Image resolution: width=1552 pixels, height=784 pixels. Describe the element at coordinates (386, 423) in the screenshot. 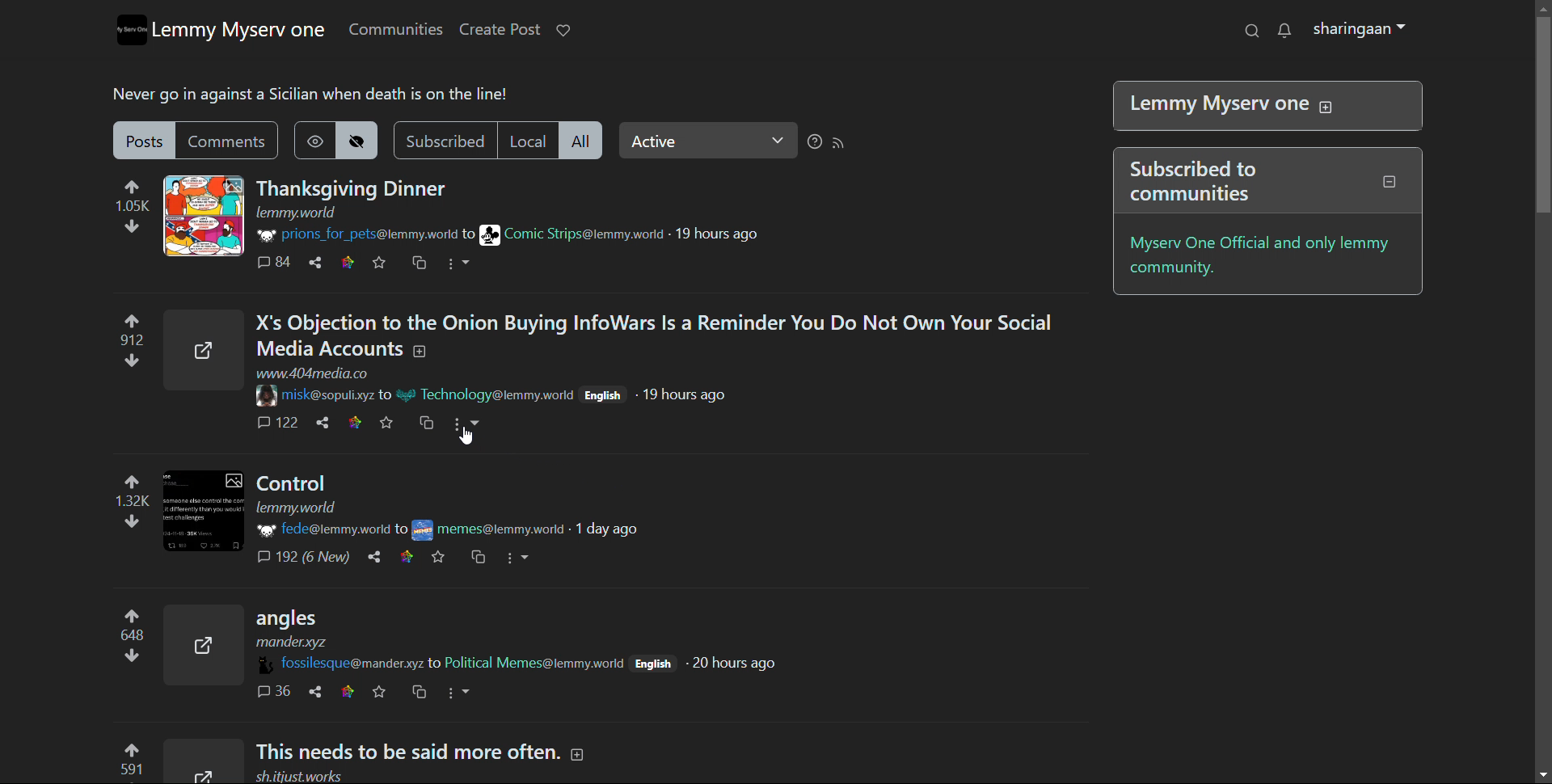

I see `favorite` at that location.